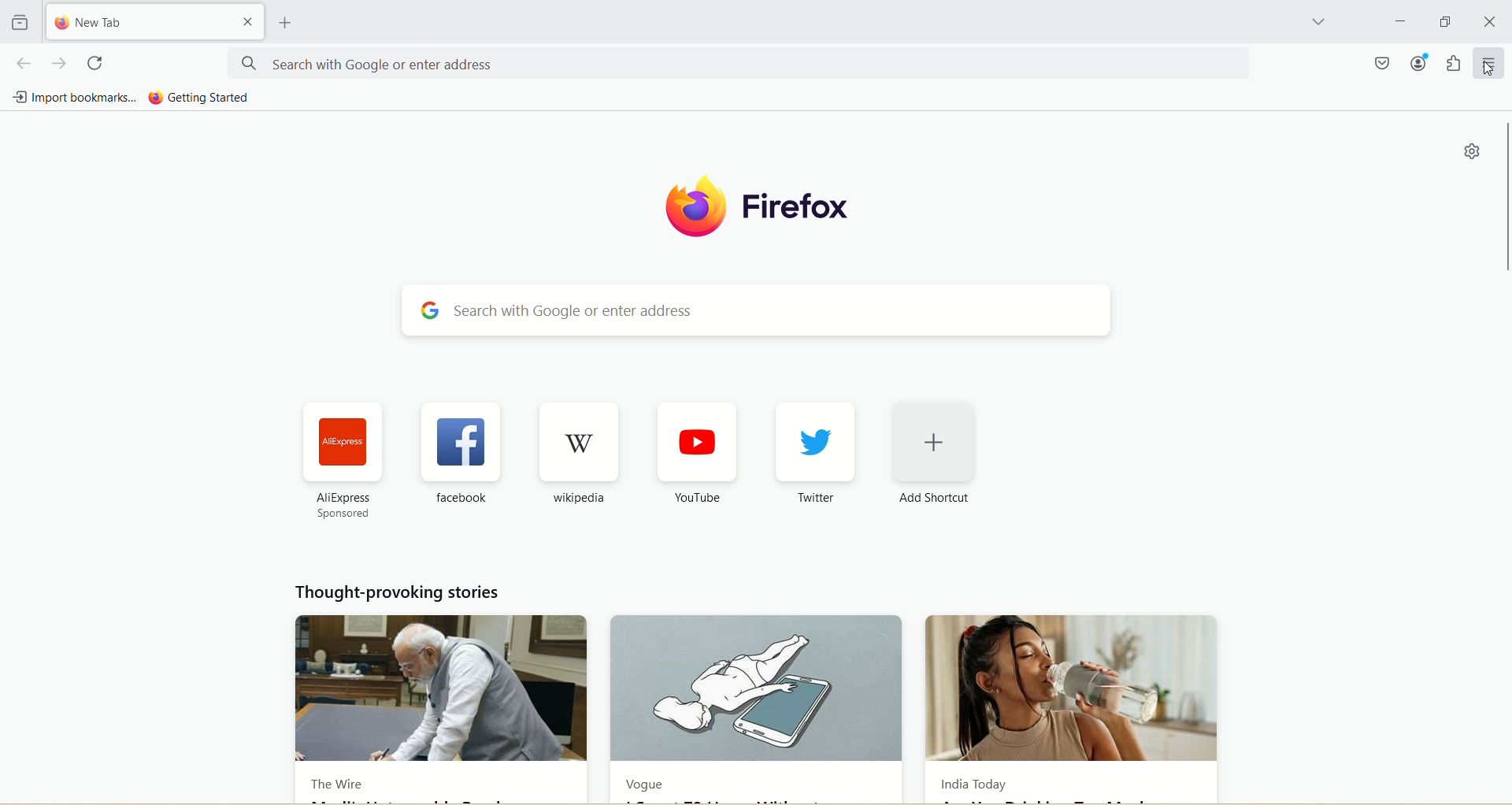 This screenshot has height=805, width=1512. I want to click on quick setting, so click(1466, 152).